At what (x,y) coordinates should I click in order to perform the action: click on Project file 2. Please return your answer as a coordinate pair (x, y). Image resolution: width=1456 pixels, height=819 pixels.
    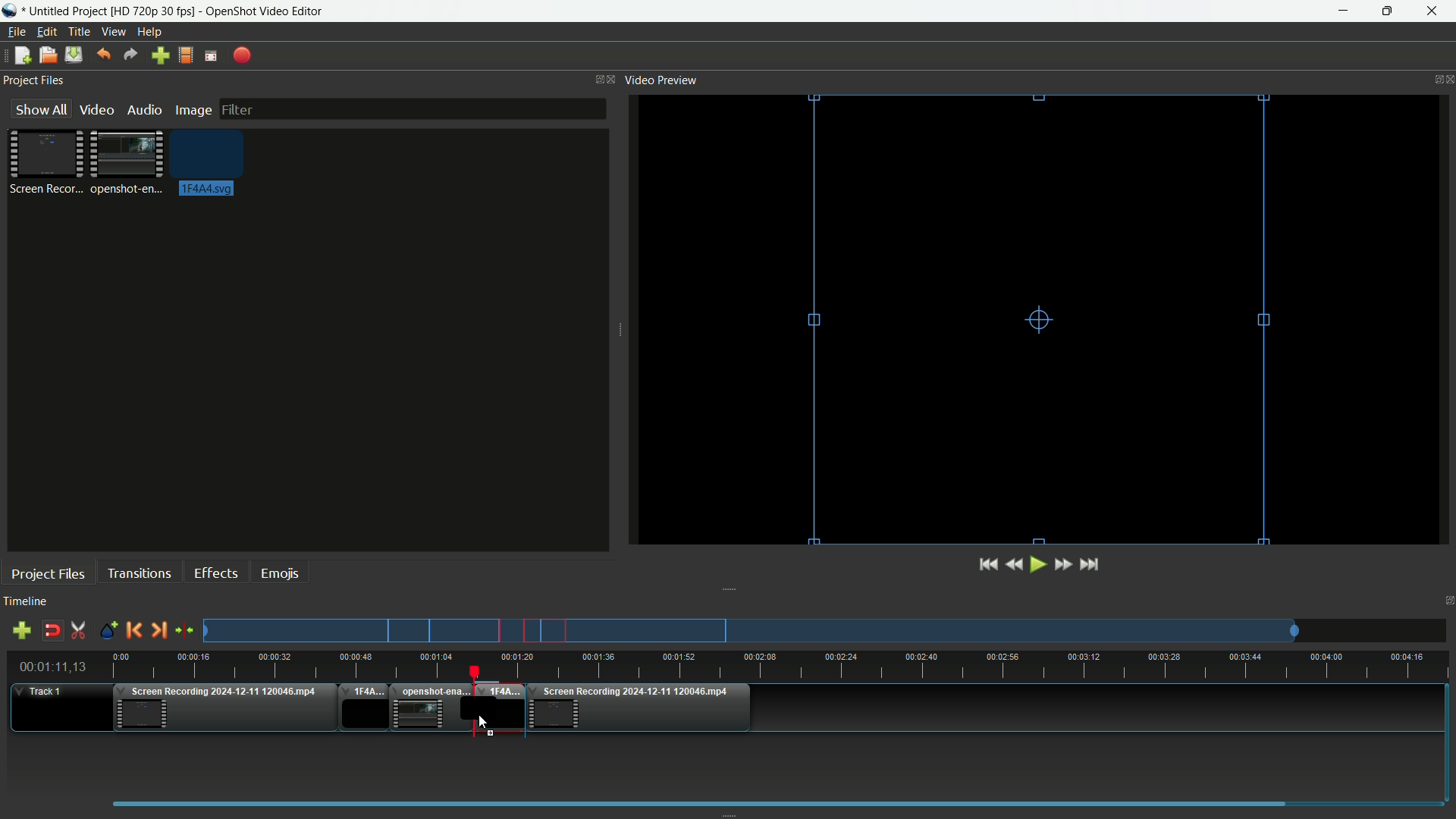
    Looking at the image, I should click on (124, 161).